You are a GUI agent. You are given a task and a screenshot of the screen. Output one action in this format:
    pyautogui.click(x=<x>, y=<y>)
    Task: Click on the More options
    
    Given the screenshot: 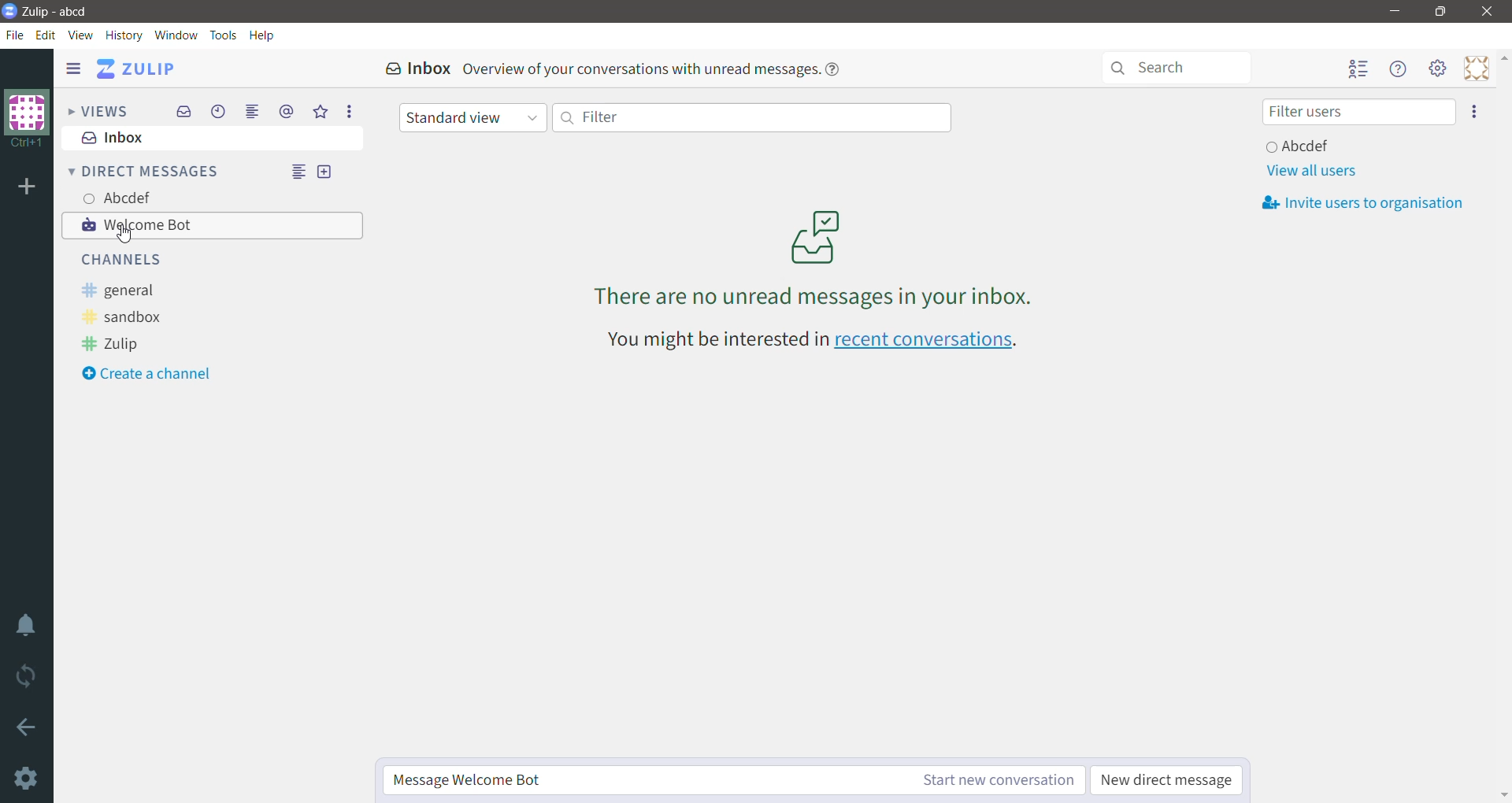 What is the action you would take?
    pyautogui.click(x=348, y=111)
    